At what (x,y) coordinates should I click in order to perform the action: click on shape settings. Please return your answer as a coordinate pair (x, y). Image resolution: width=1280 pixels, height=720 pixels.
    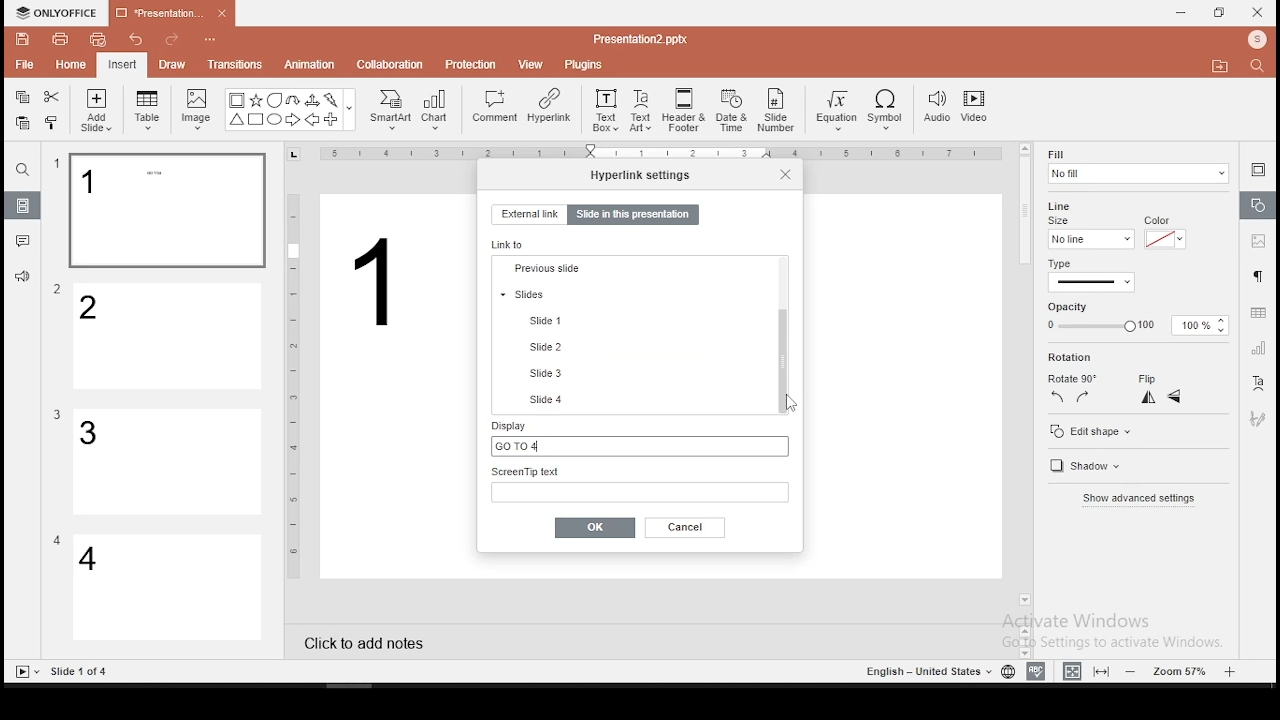
    Looking at the image, I should click on (1259, 206).